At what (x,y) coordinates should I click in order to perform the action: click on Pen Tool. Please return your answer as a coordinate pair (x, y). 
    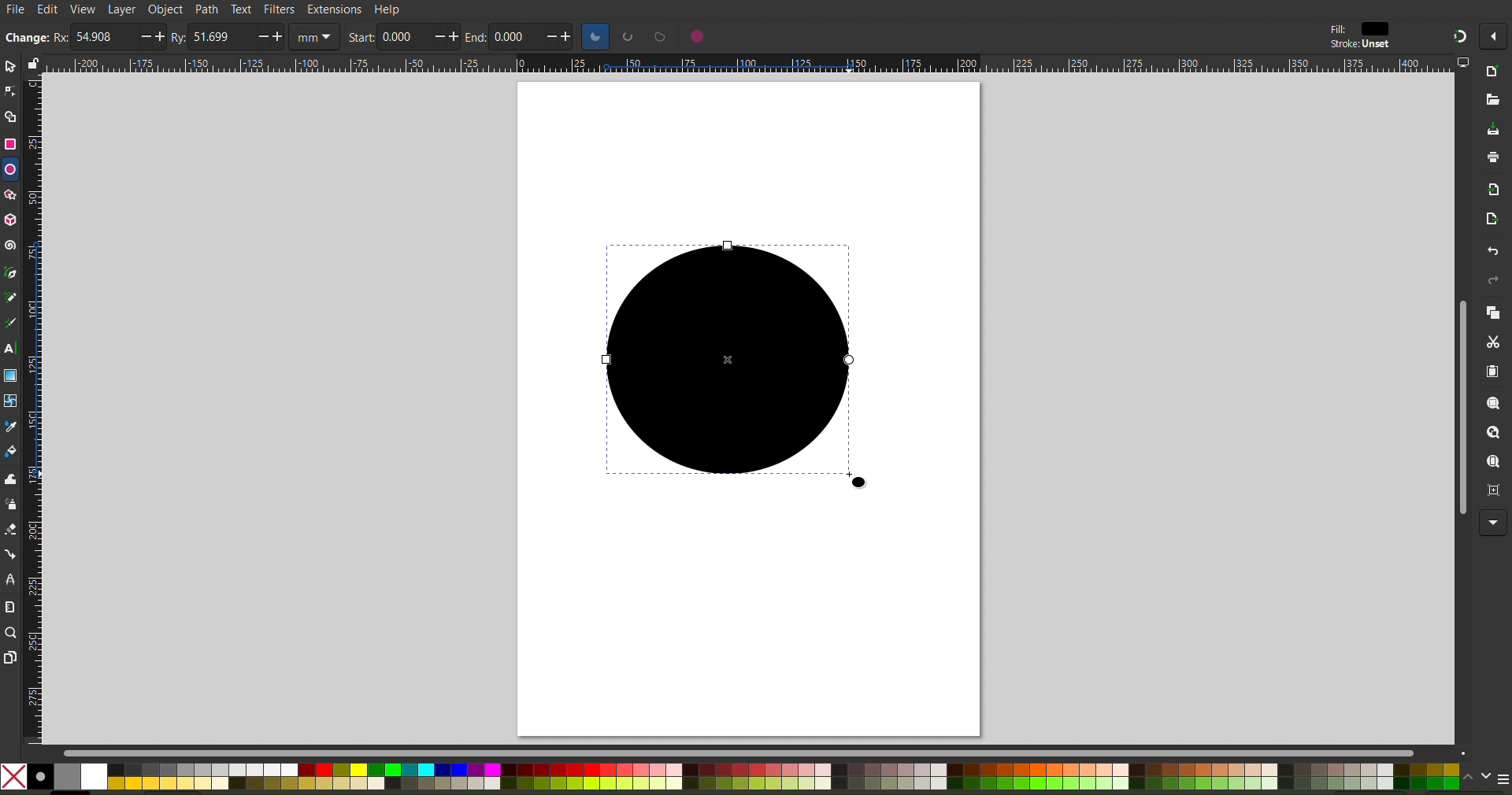
    Looking at the image, I should click on (9, 272).